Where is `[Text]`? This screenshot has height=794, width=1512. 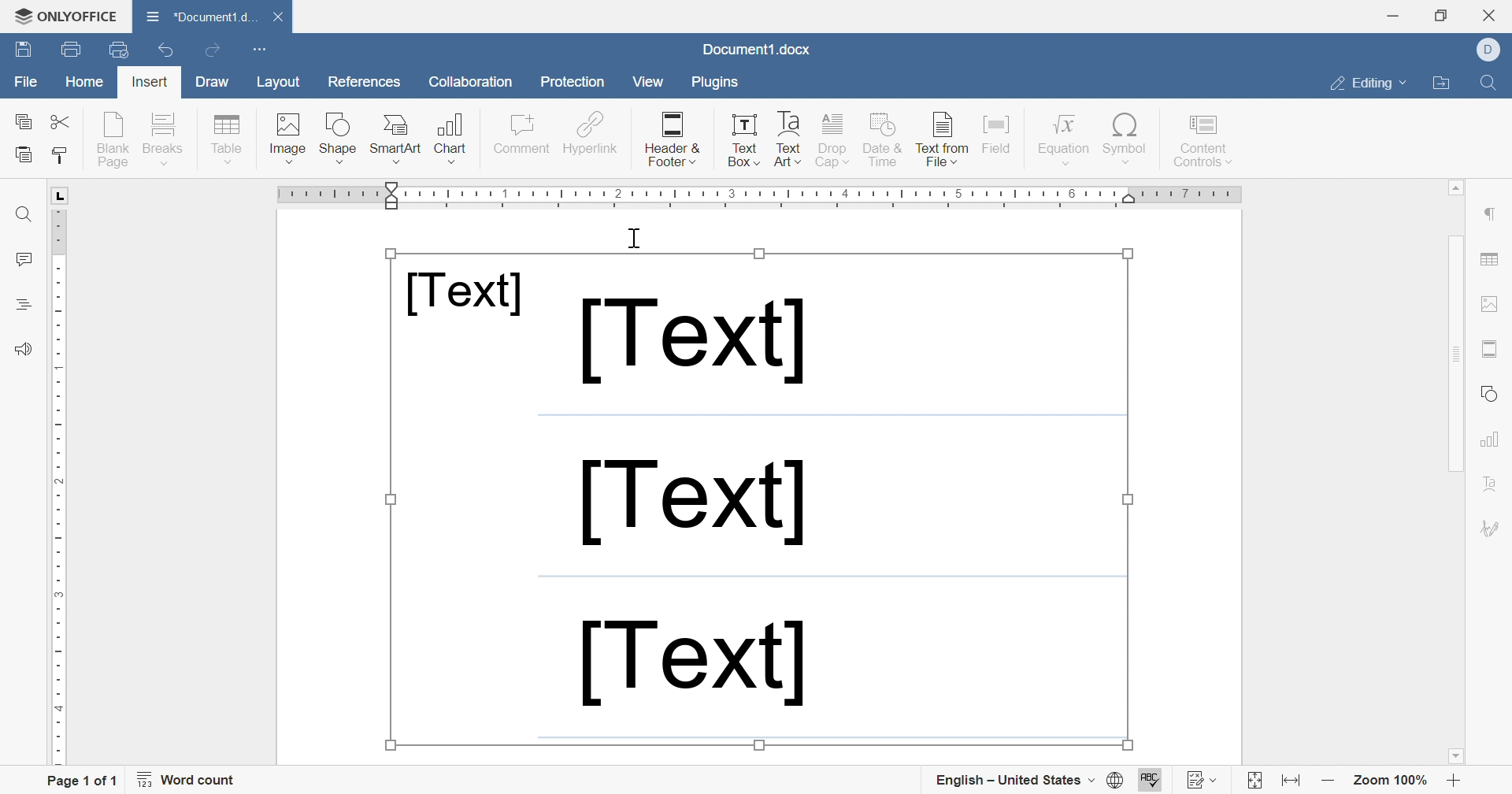 [Text] is located at coordinates (692, 665).